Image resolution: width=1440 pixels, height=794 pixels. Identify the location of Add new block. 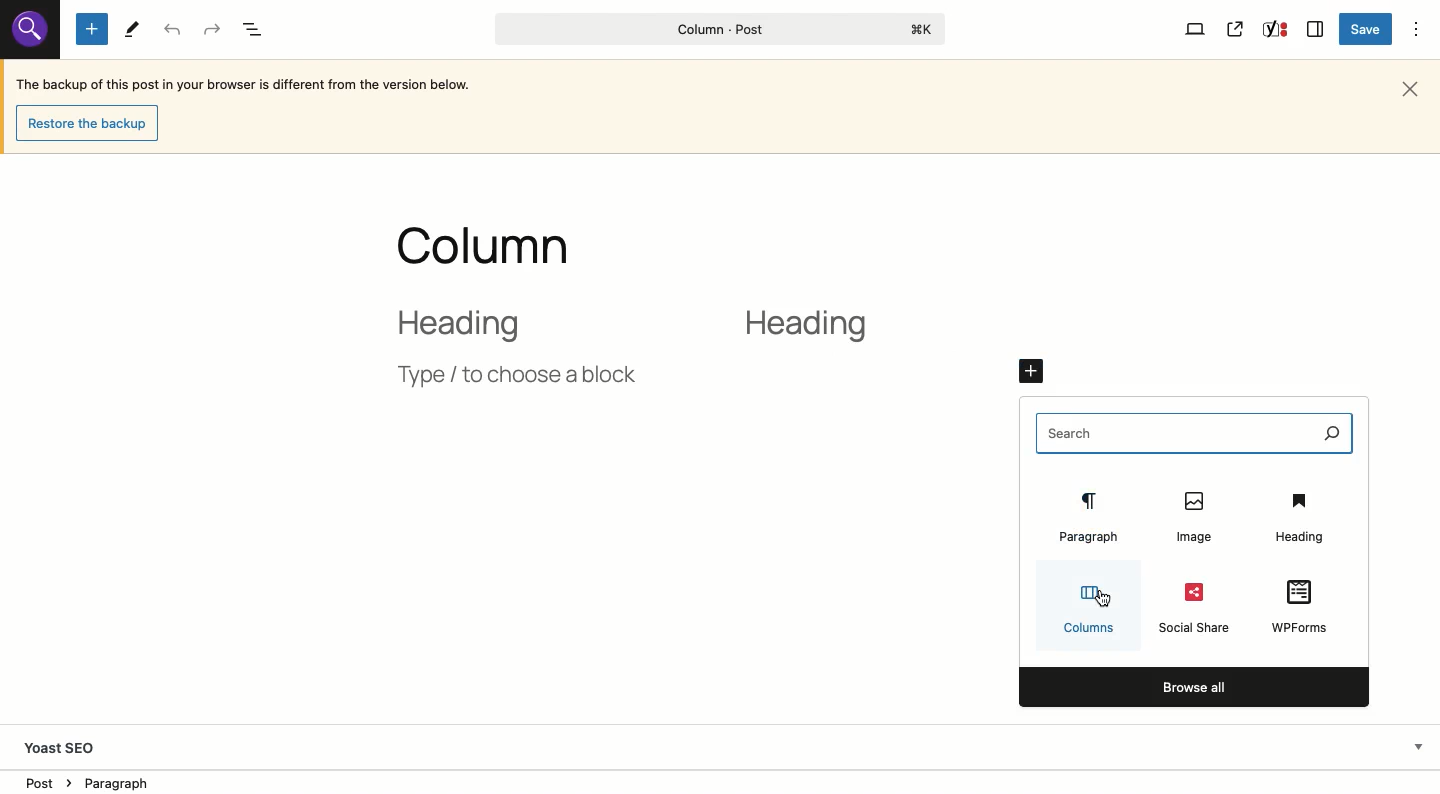
(92, 30).